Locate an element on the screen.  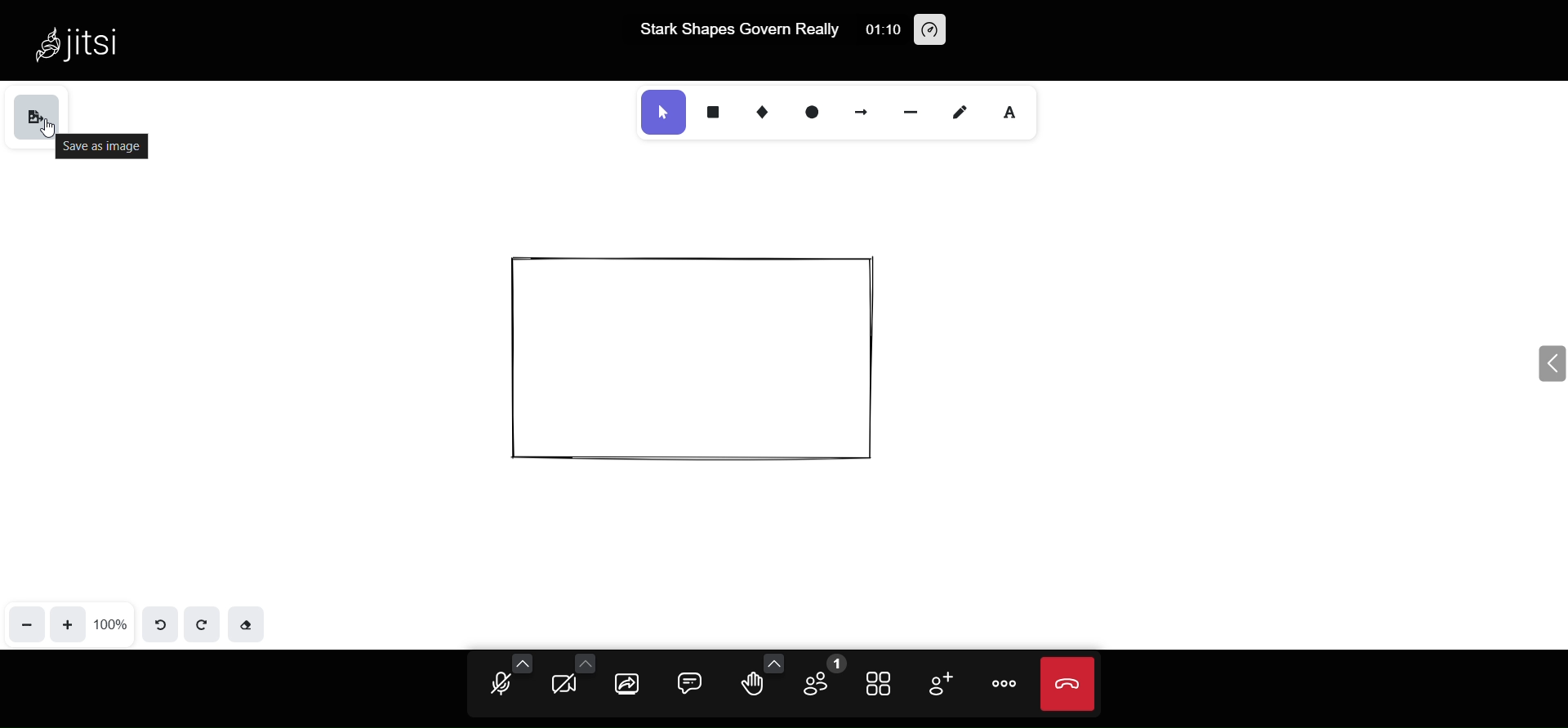
zoom out is located at coordinates (25, 625).